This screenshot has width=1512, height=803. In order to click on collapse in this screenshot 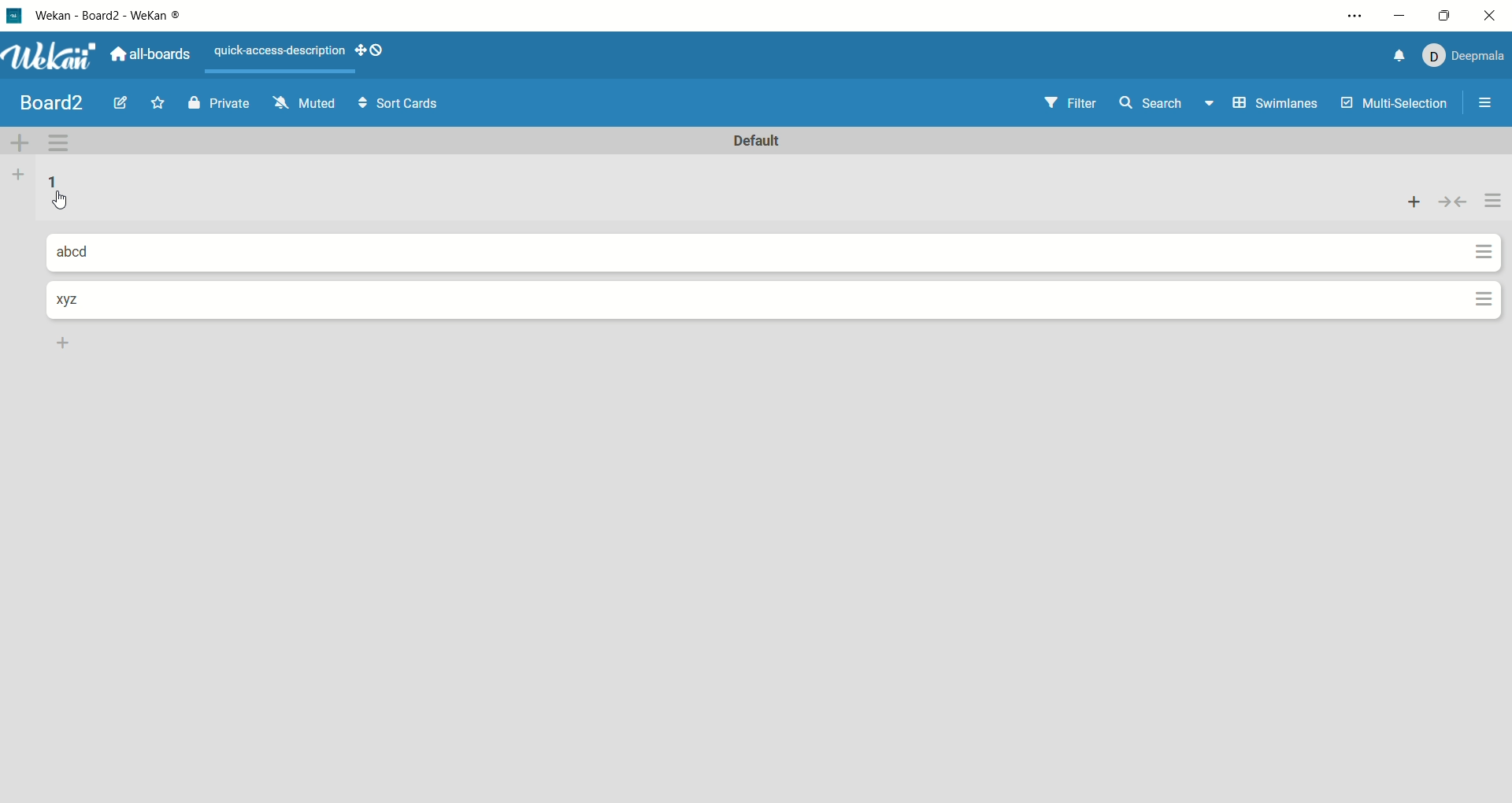, I will do `click(1453, 201)`.